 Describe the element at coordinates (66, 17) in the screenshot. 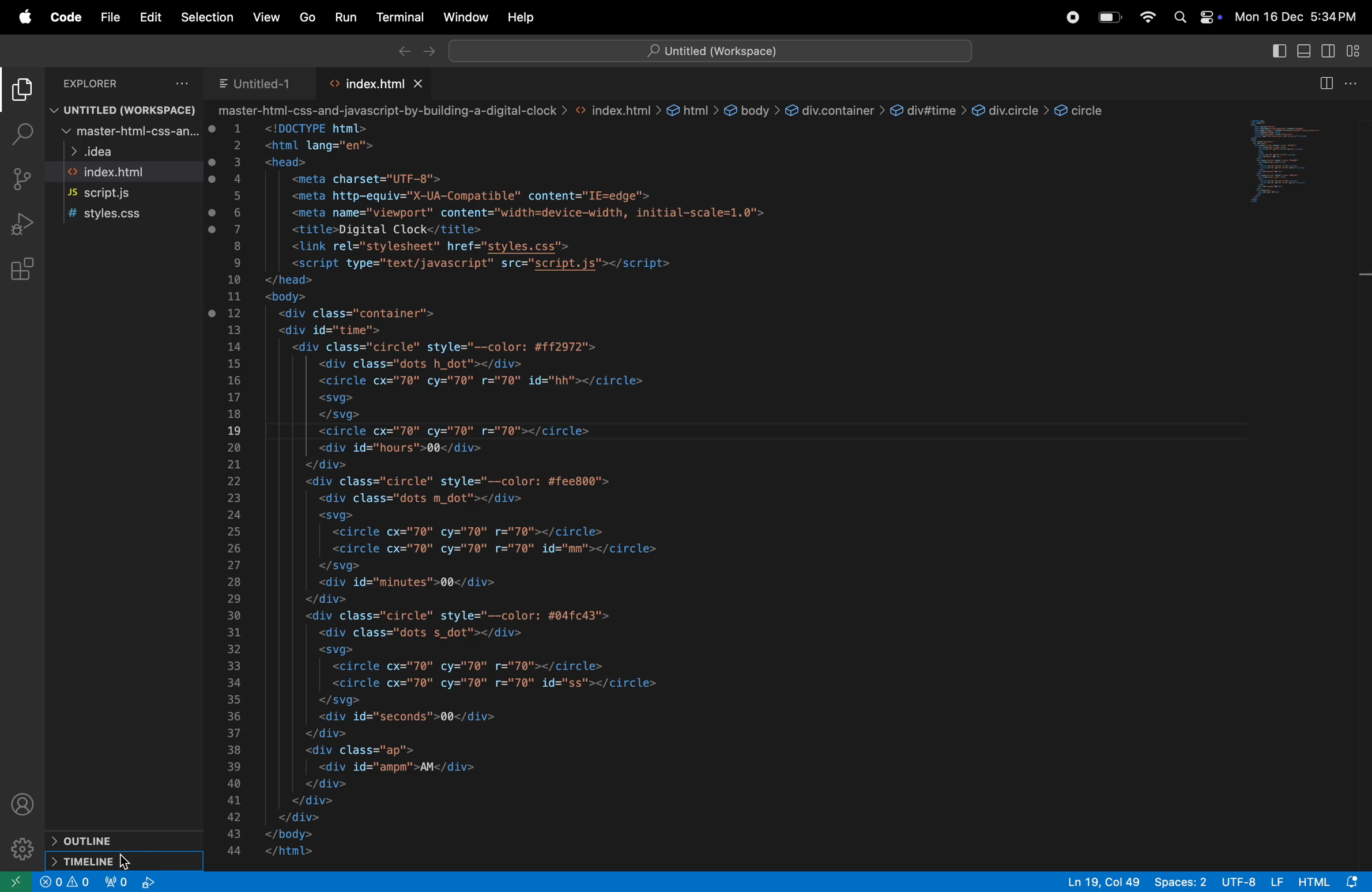

I see `code` at that location.